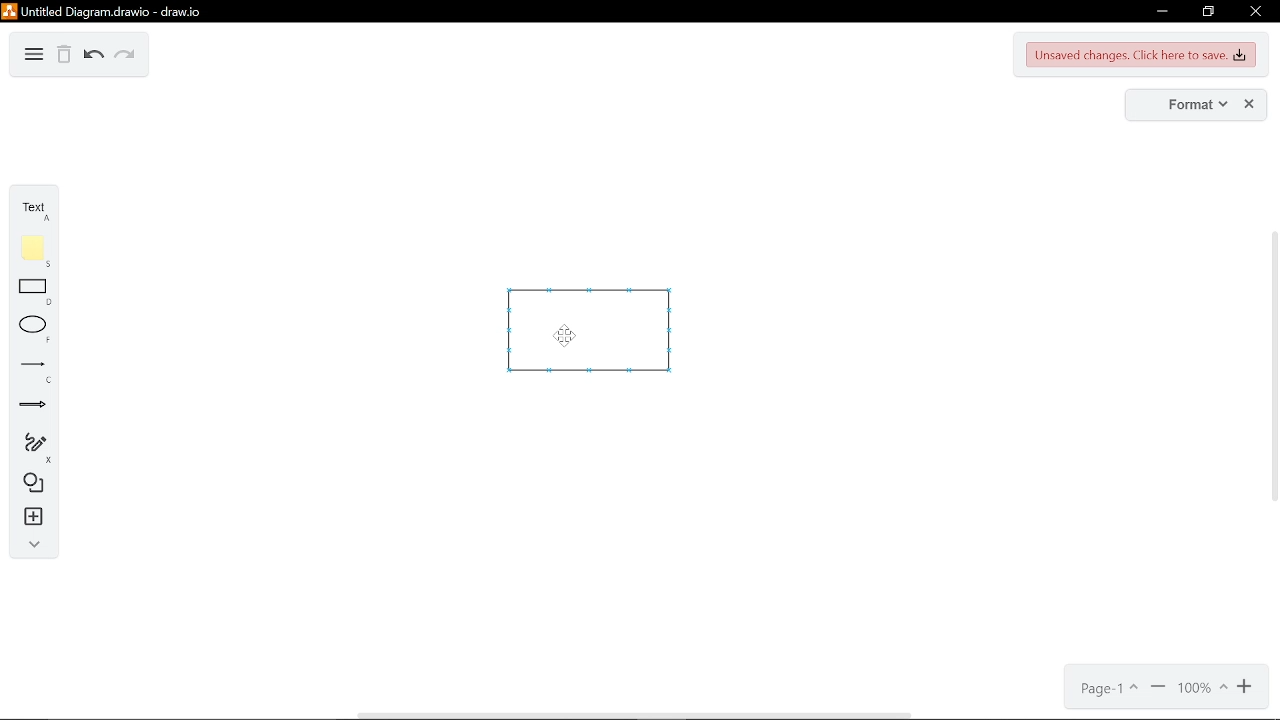 The height and width of the screenshot is (720, 1280). Describe the element at coordinates (1158, 688) in the screenshot. I see `zoom out` at that location.